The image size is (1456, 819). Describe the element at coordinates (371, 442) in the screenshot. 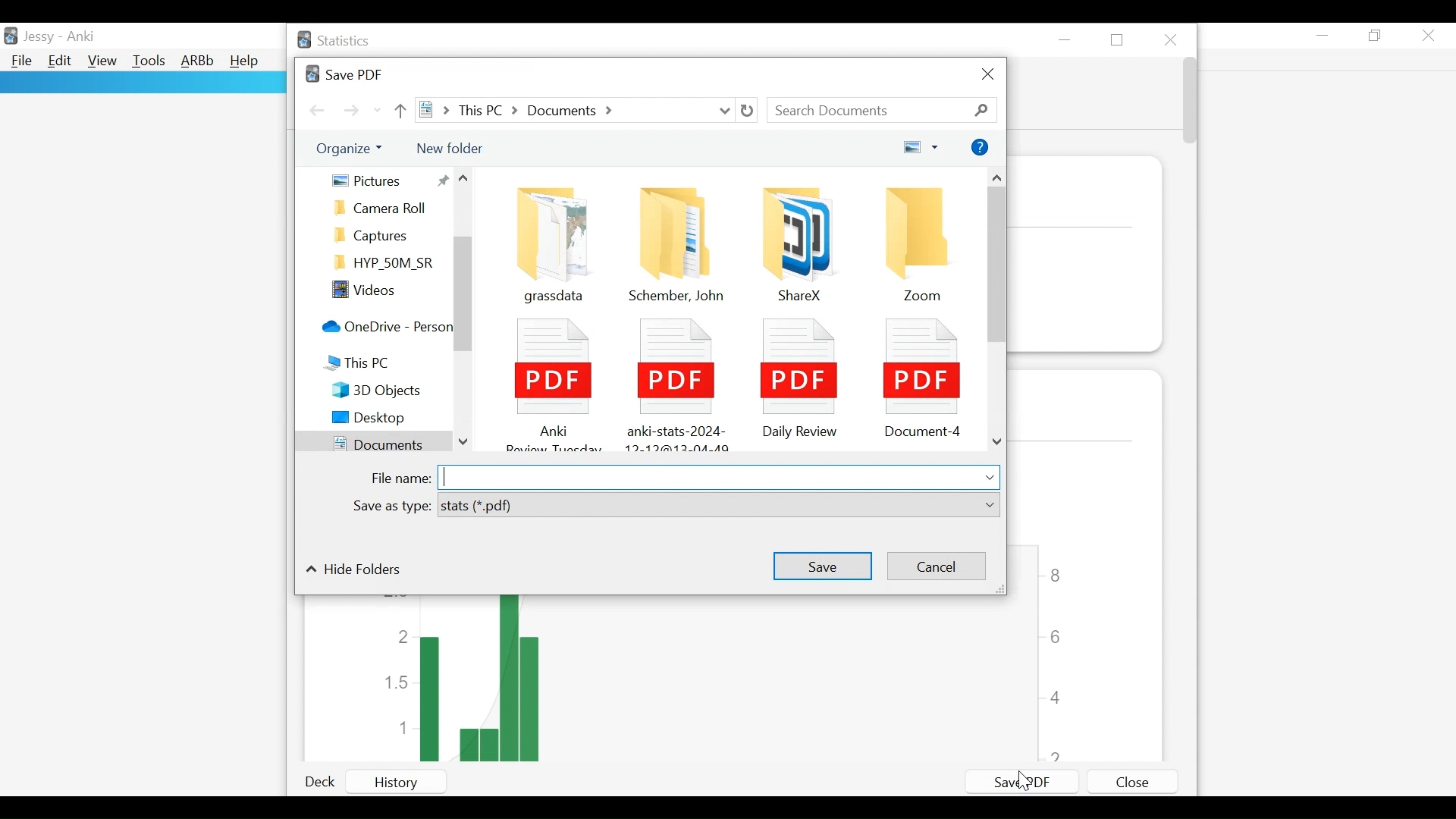

I see `Documents` at that location.